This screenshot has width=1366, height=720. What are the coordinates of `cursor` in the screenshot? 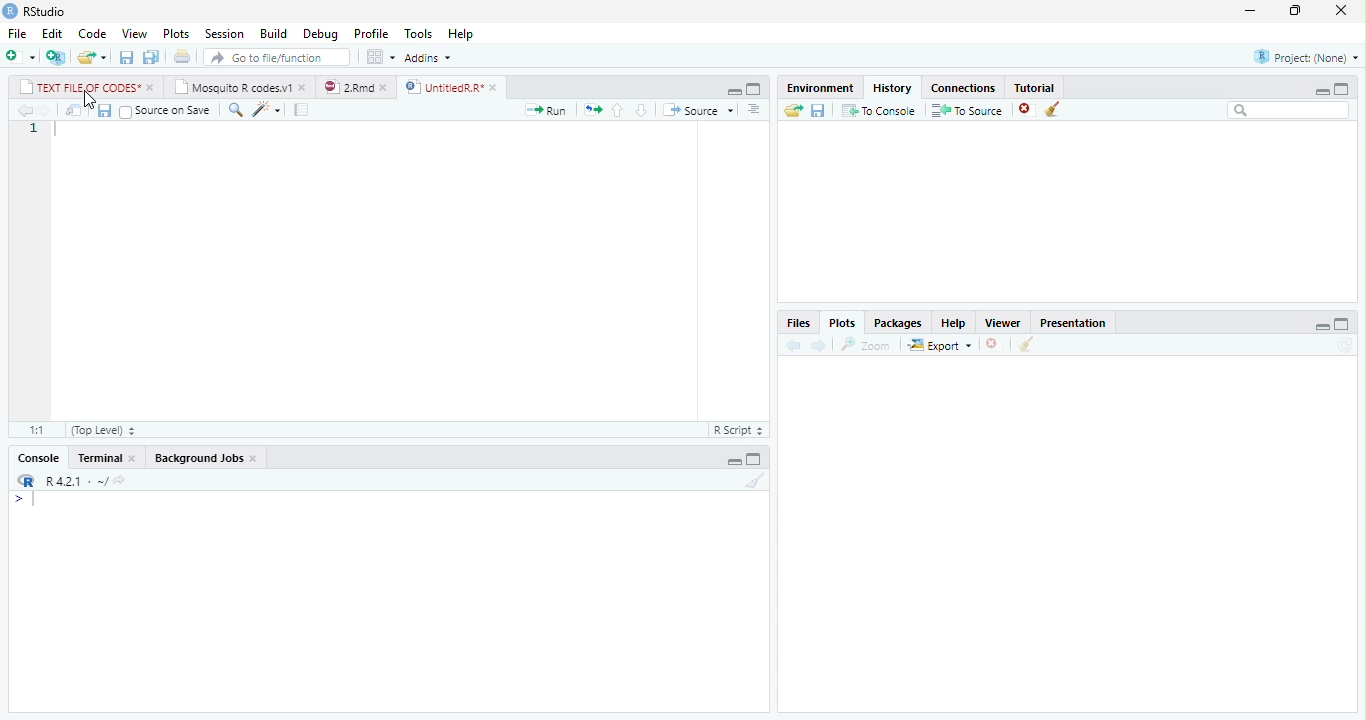 It's located at (90, 100).